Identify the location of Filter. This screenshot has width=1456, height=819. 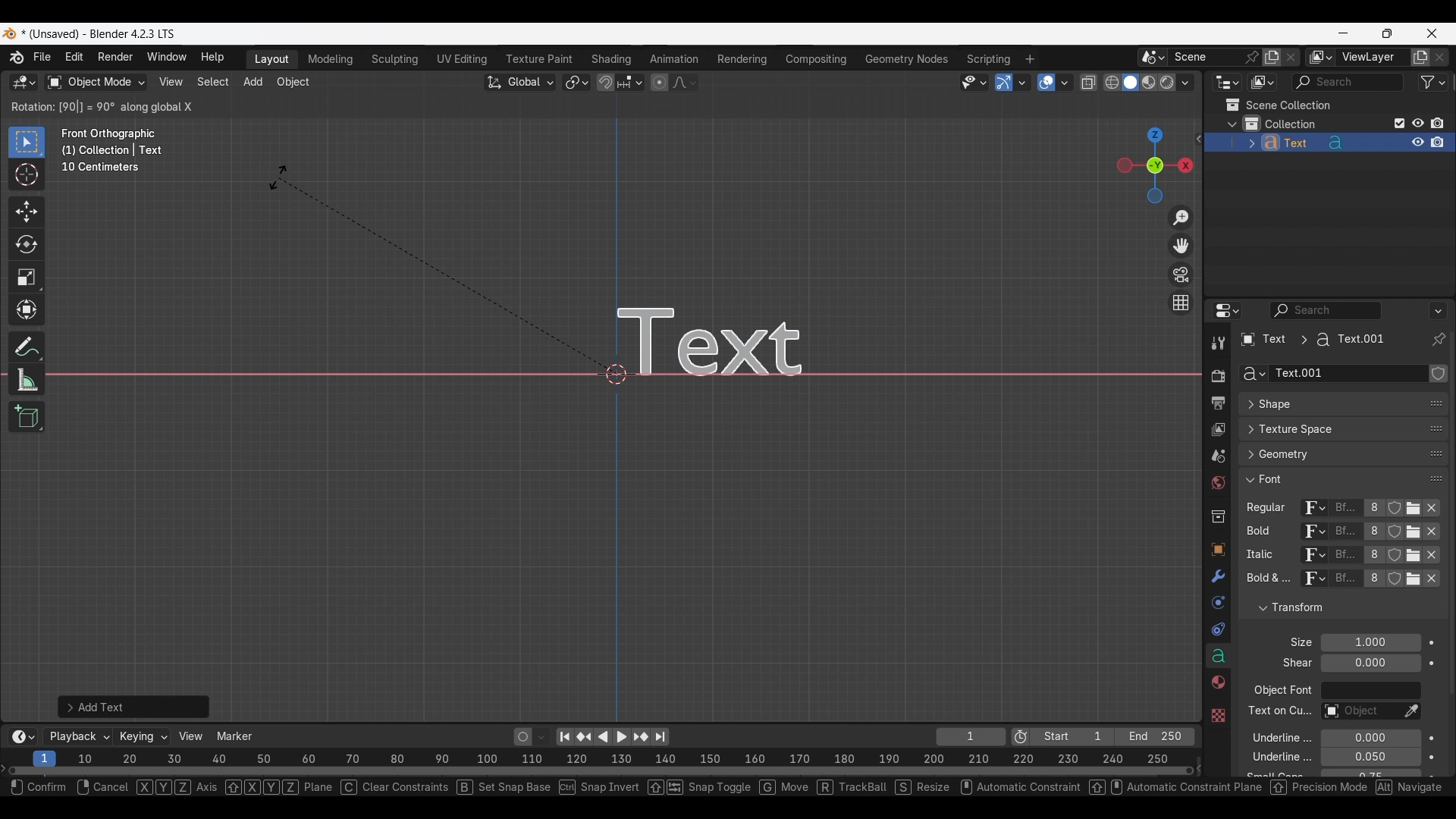
(1433, 82).